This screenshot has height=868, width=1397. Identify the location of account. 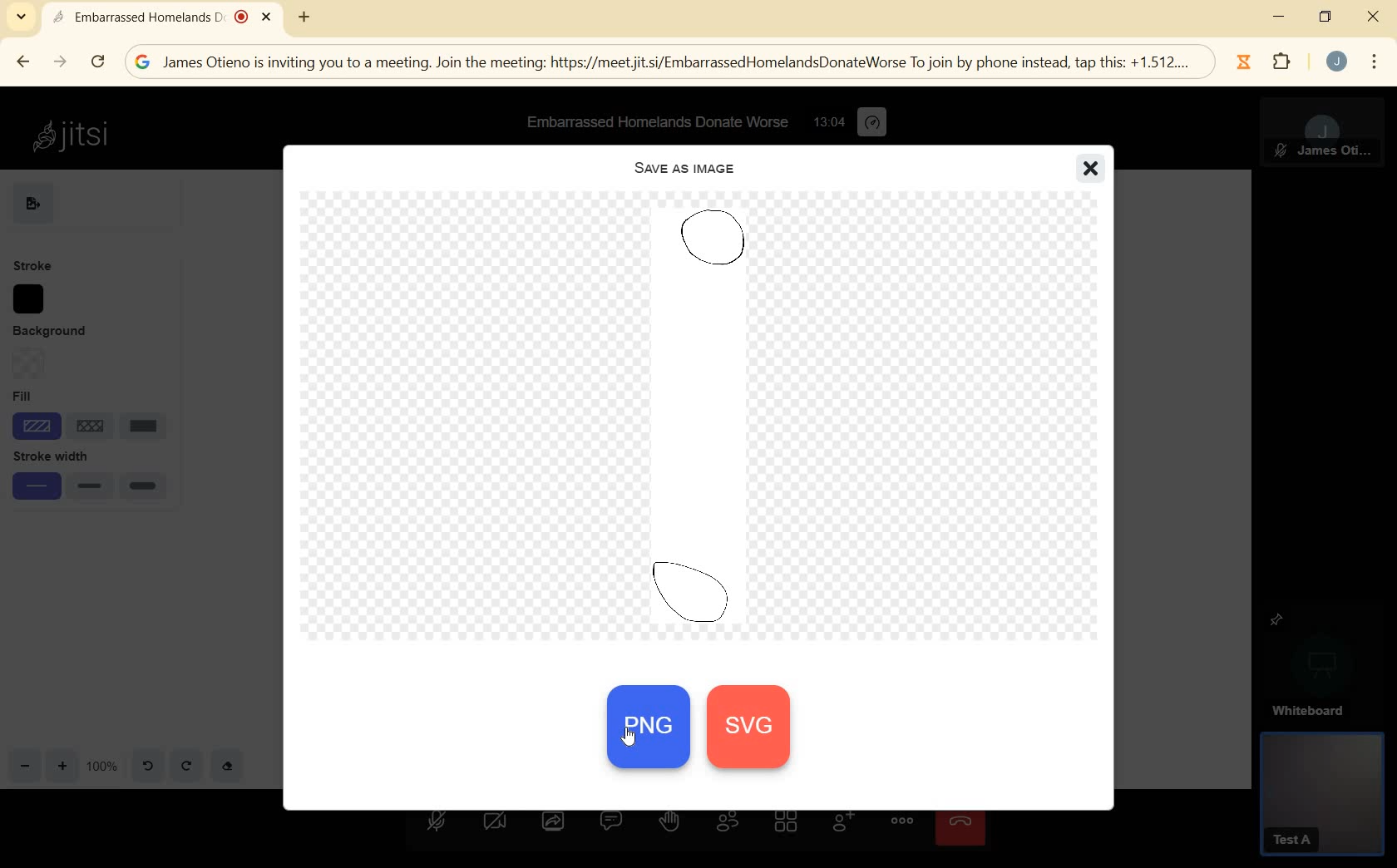
(1337, 62).